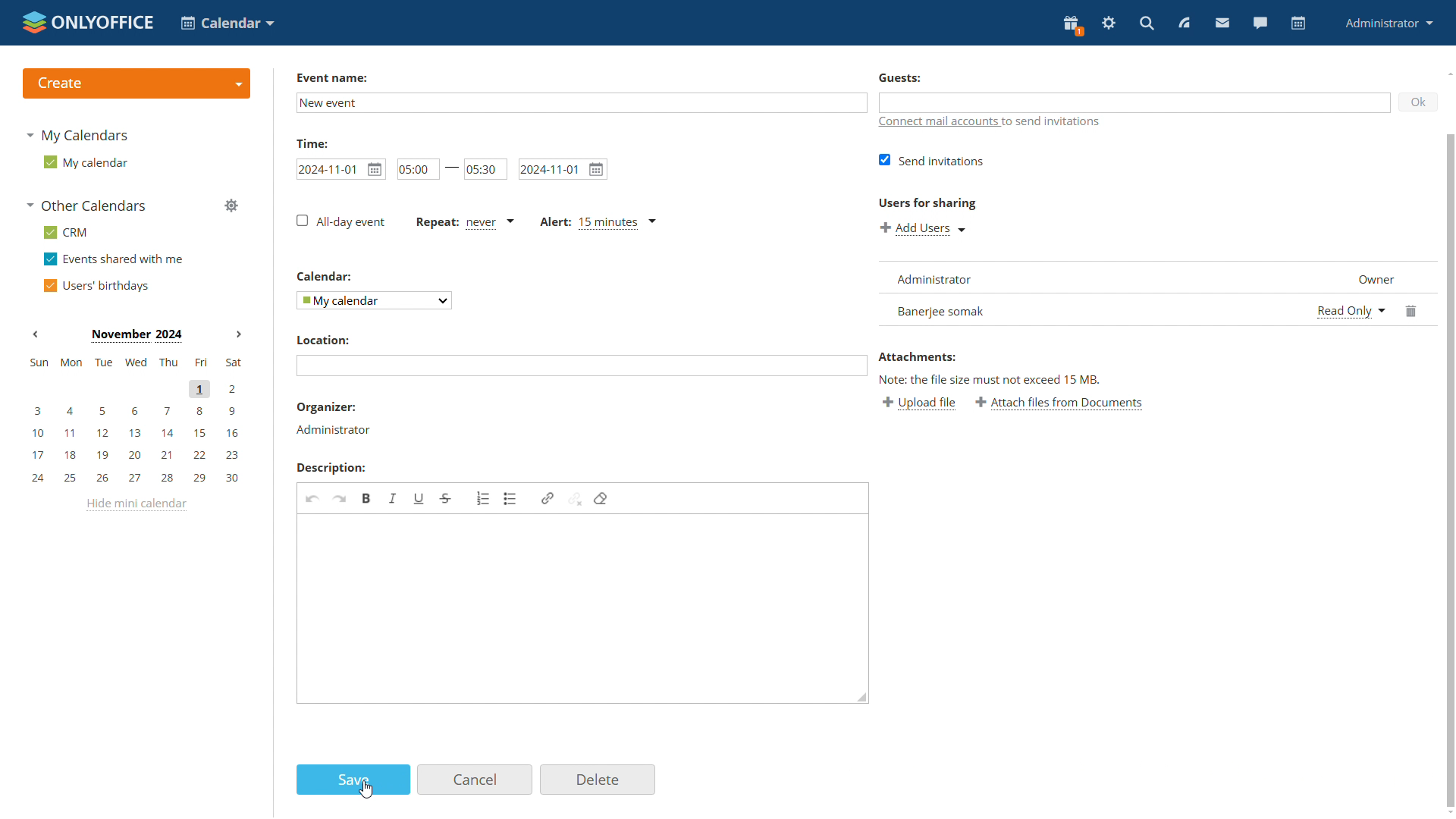 The image size is (1456, 819). What do you see at coordinates (1298, 24) in the screenshot?
I see `calendar` at bounding box center [1298, 24].